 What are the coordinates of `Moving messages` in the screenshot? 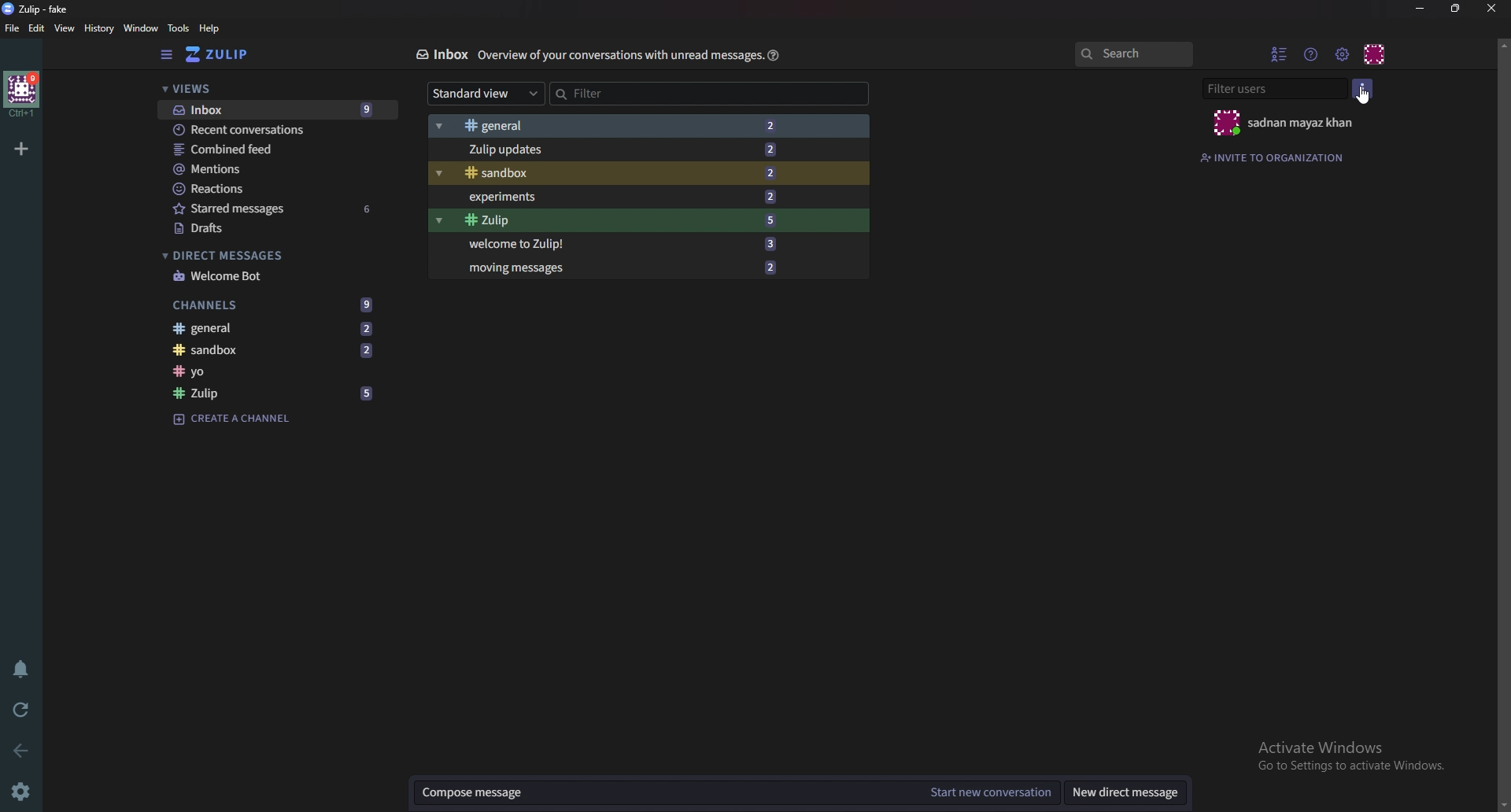 It's located at (619, 270).